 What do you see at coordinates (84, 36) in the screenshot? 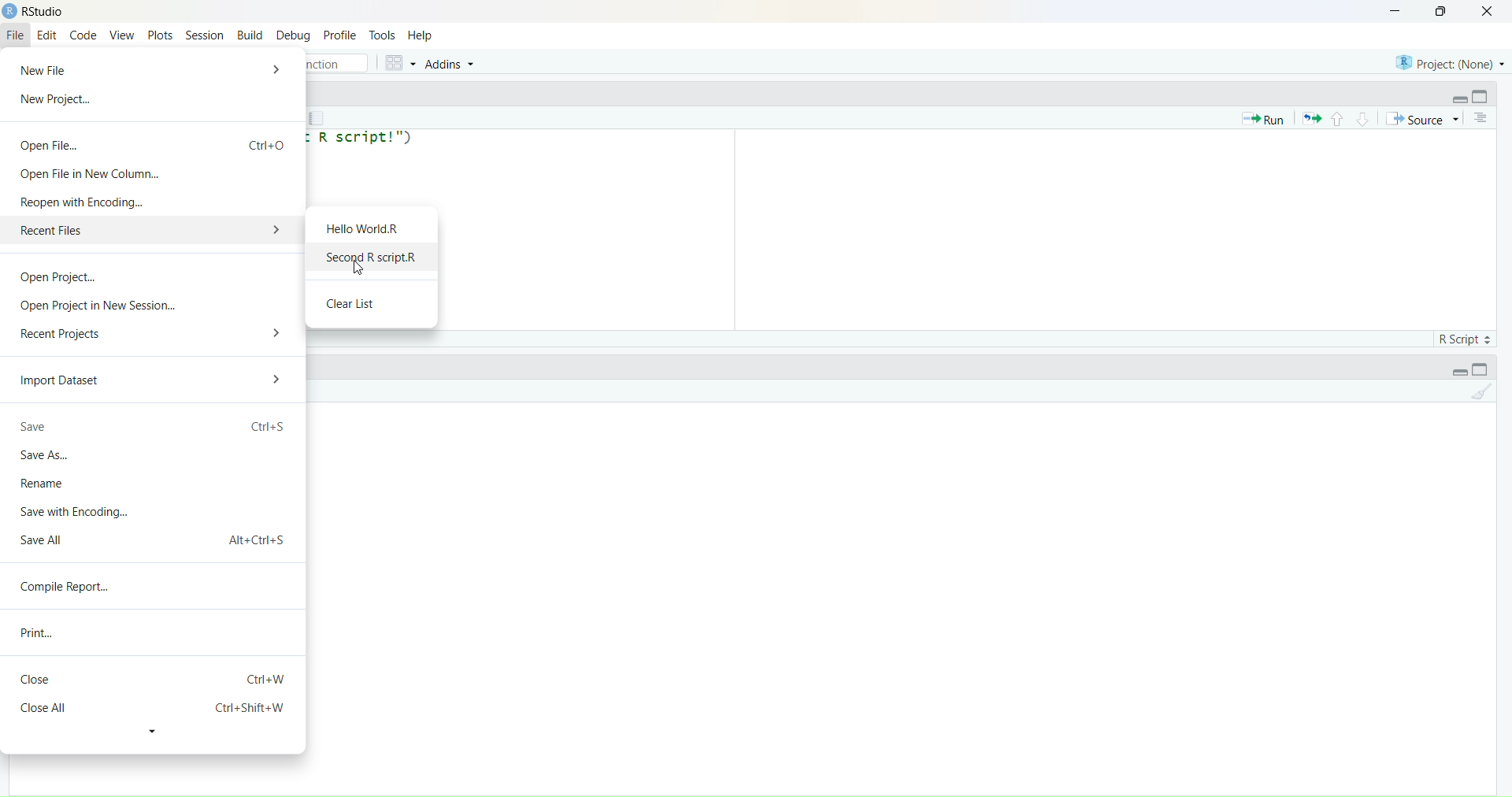
I see `Code` at bounding box center [84, 36].